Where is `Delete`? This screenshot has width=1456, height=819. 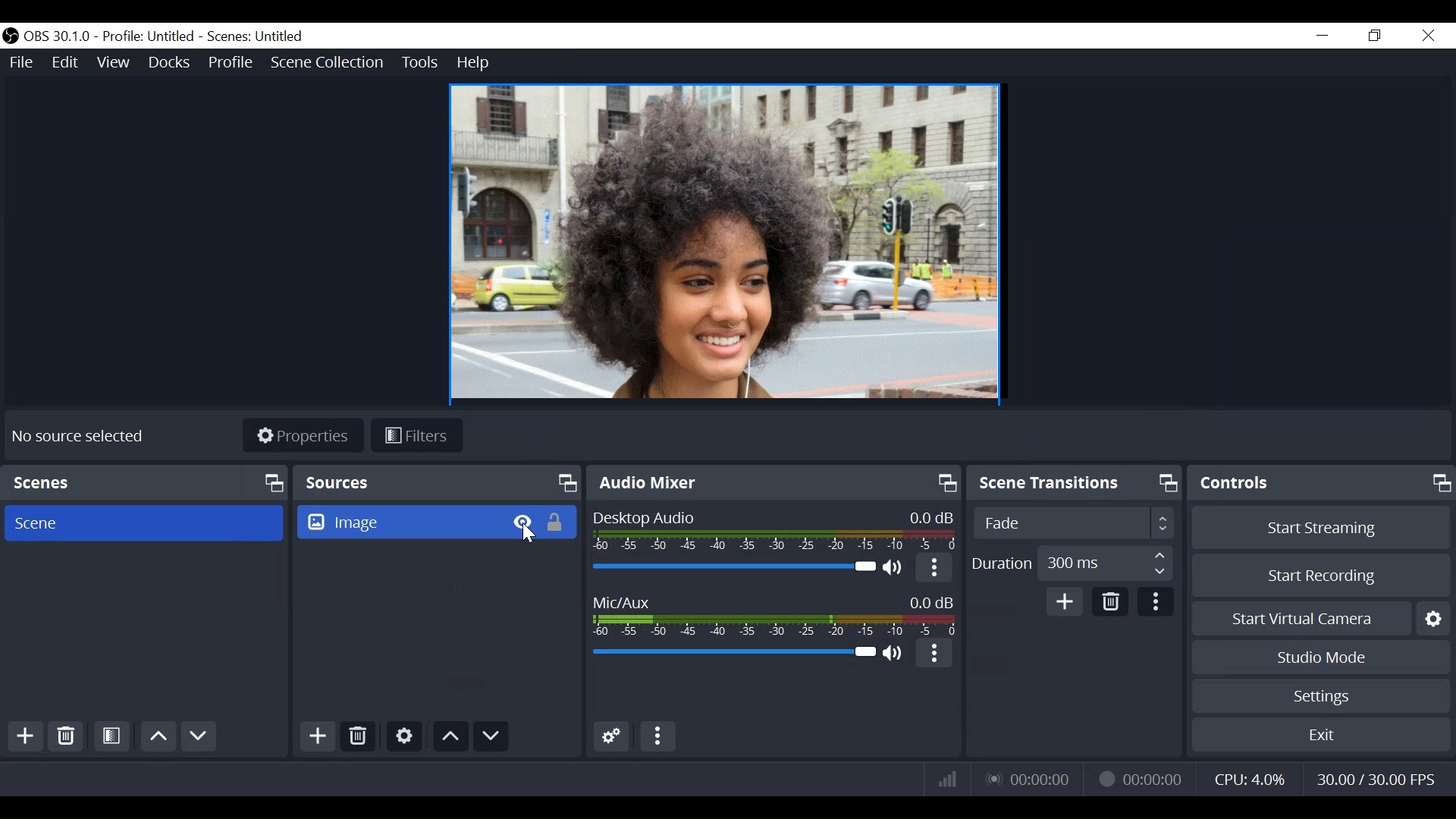
Delete is located at coordinates (358, 737).